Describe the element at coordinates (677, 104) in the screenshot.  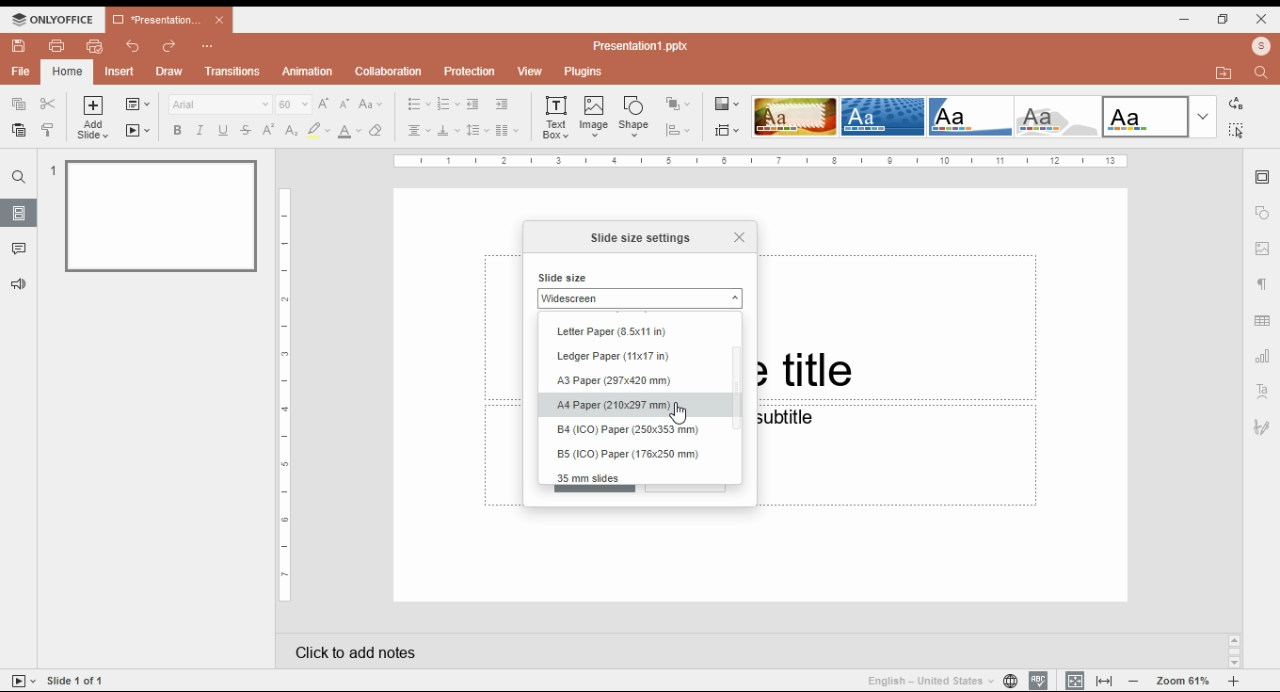
I see `arrange shape` at that location.